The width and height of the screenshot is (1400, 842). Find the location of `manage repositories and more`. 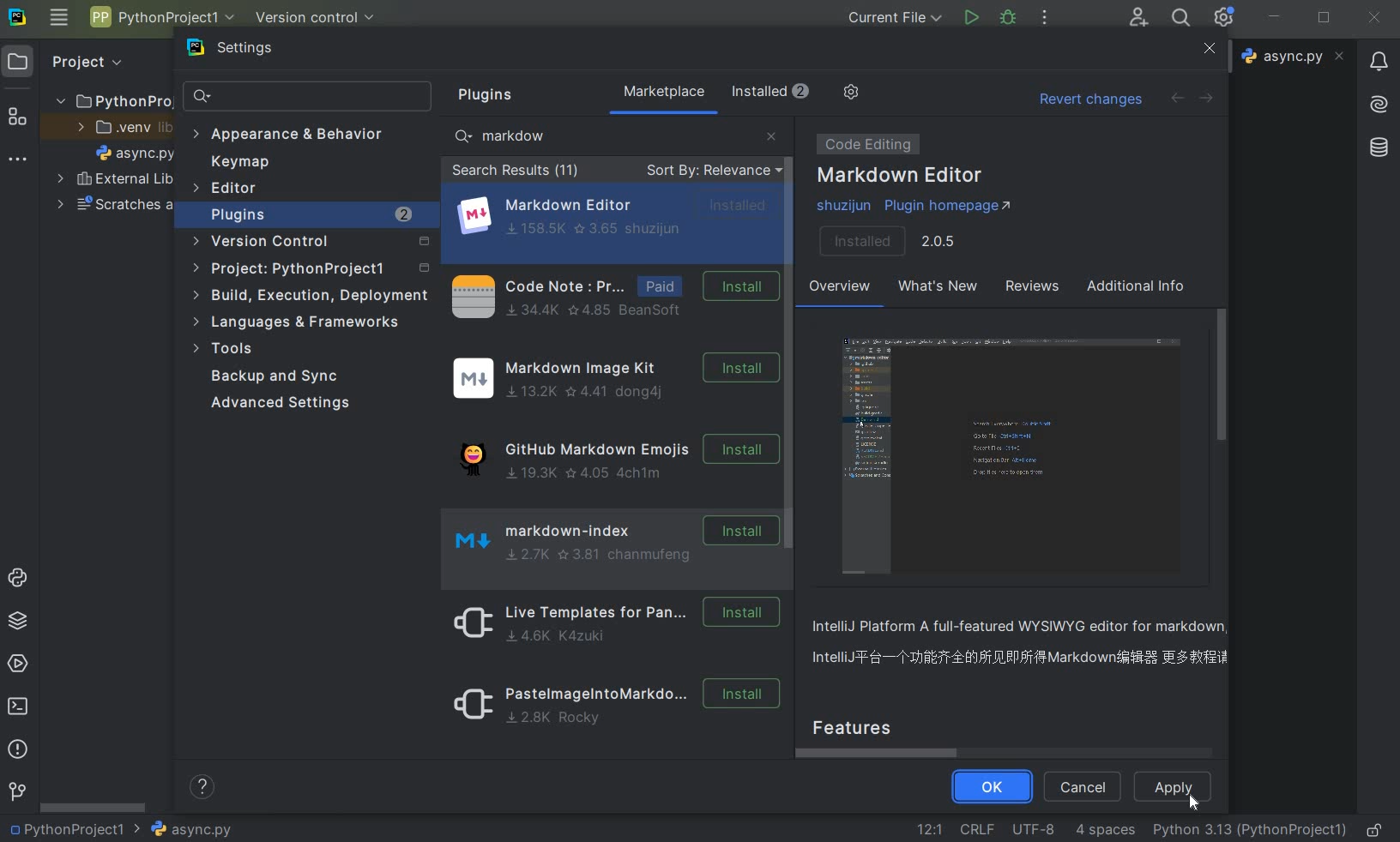

manage repositories and more is located at coordinates (853, 92).